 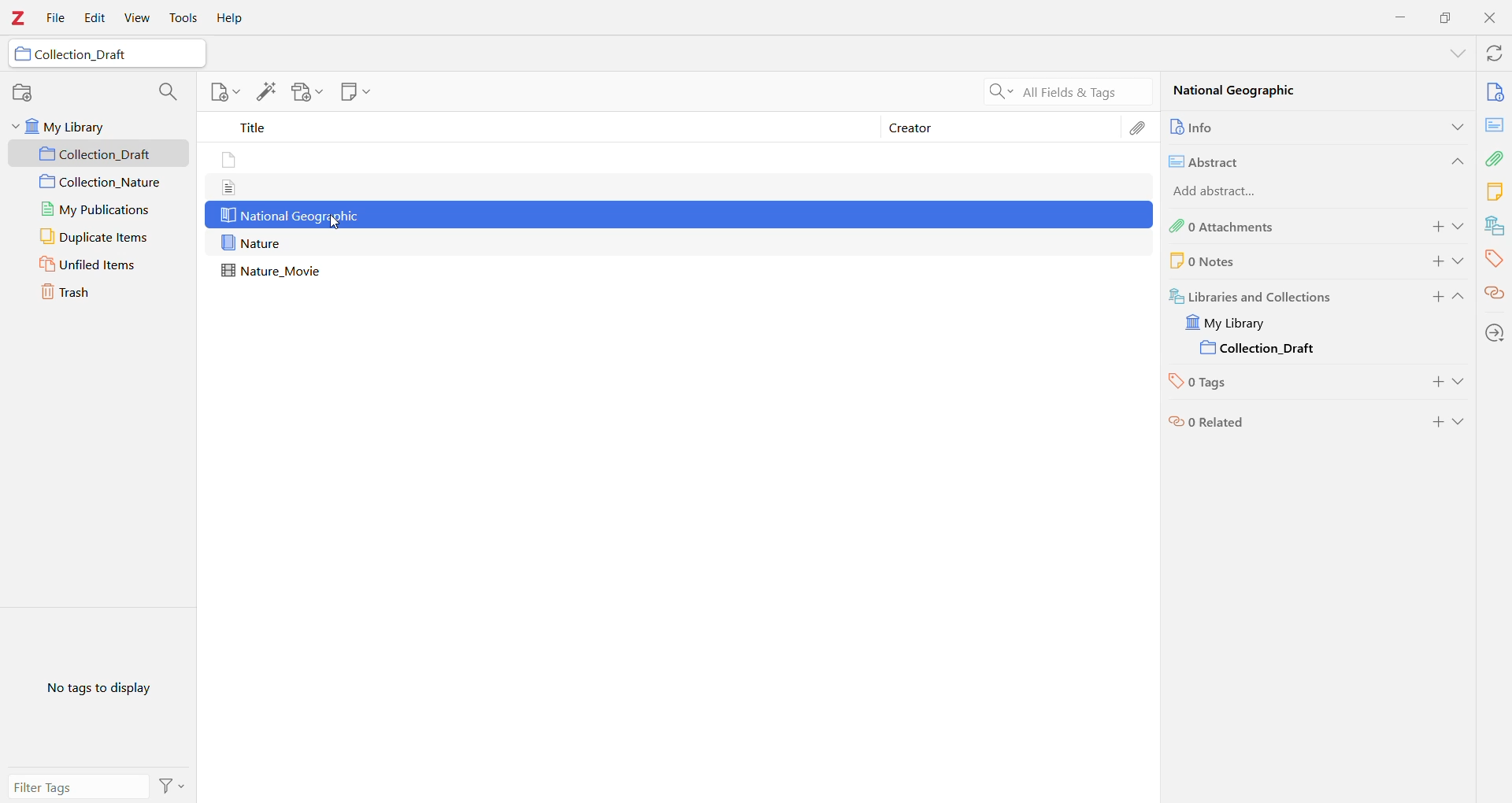 I want to click on Related, so click(x=1495, y=292).